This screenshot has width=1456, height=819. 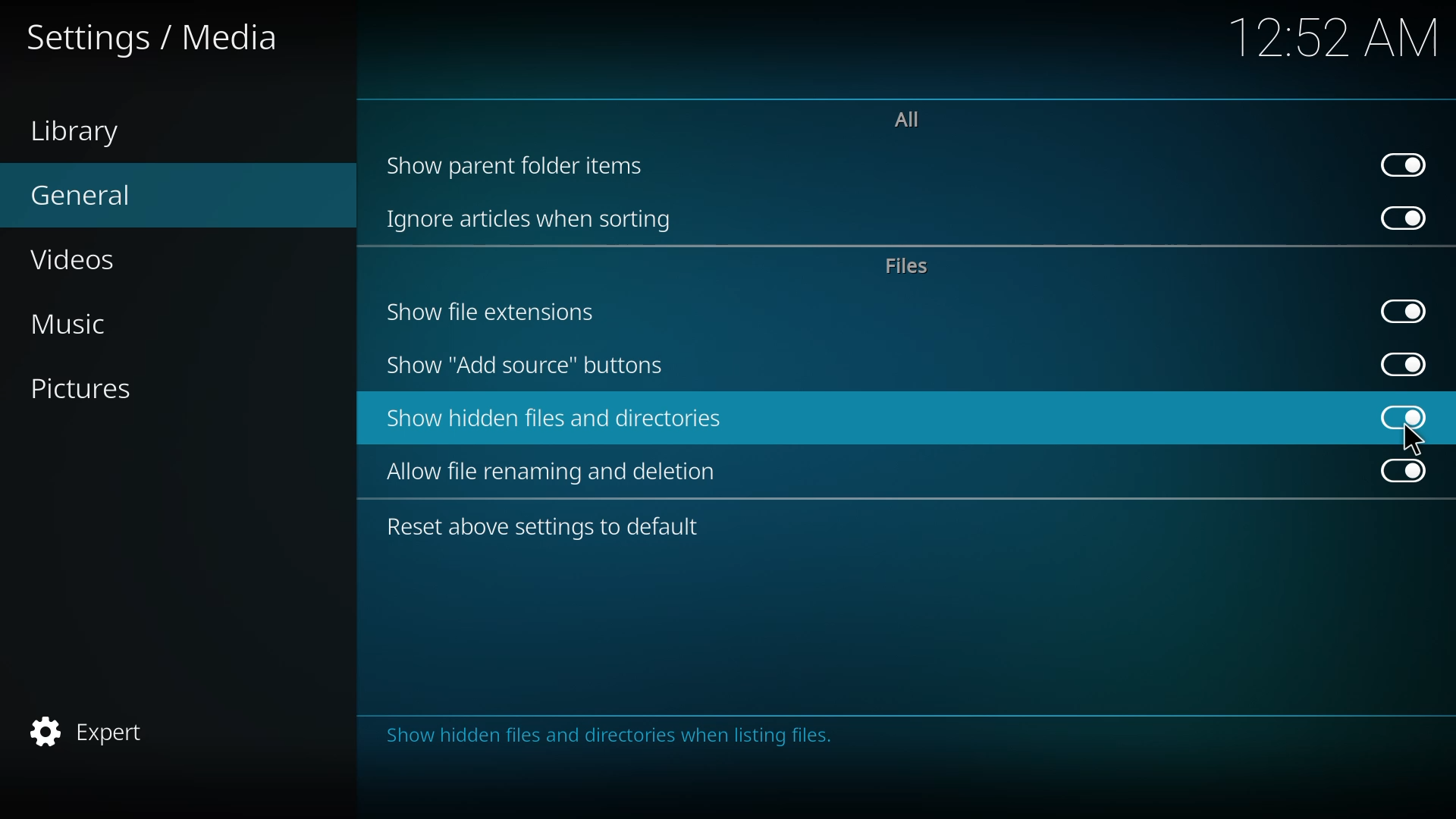 I want to click on enabled, so click(x=1404, y=165).